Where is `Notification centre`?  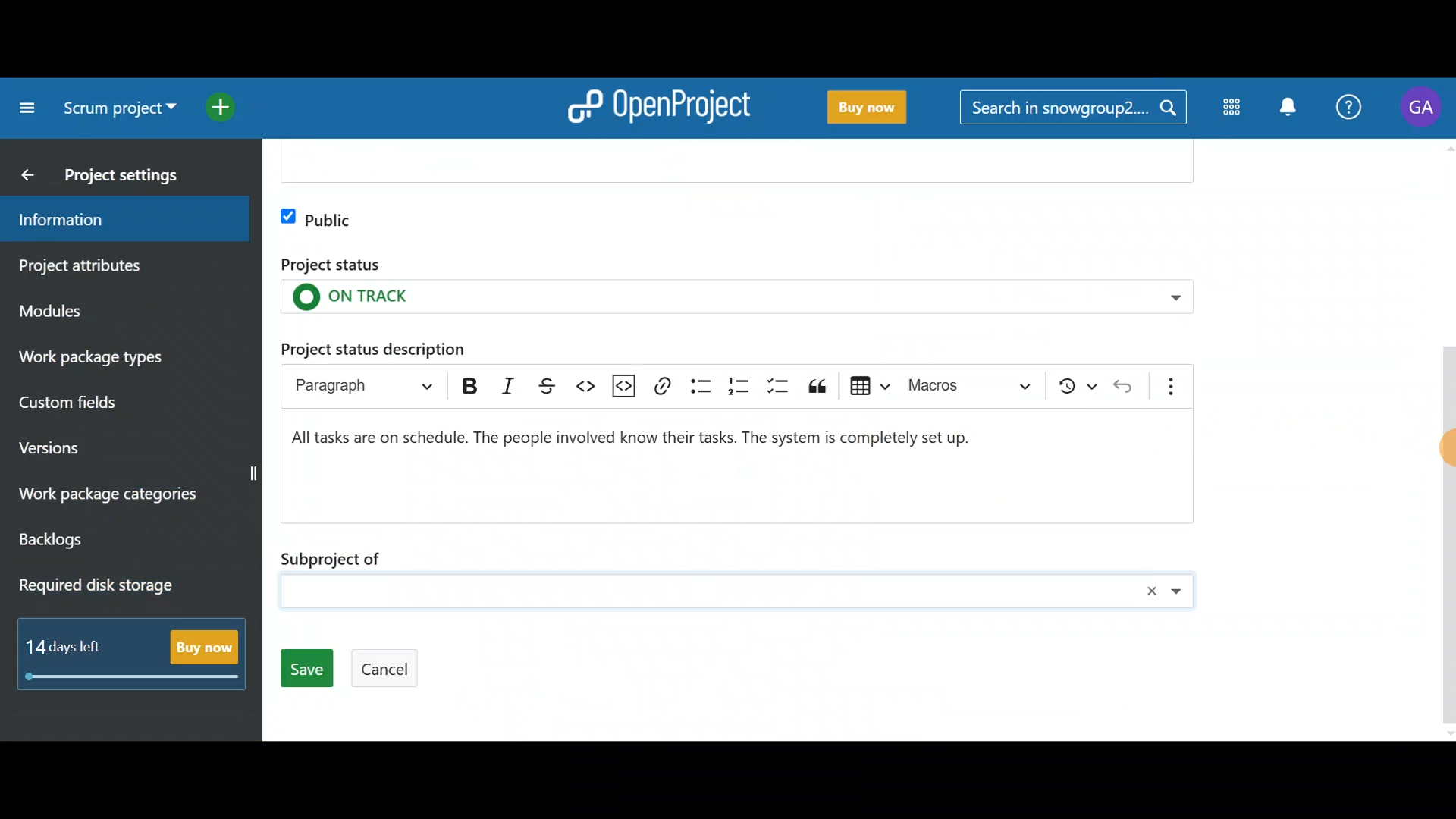 Notification centre is located at coordinates (1284, 106).